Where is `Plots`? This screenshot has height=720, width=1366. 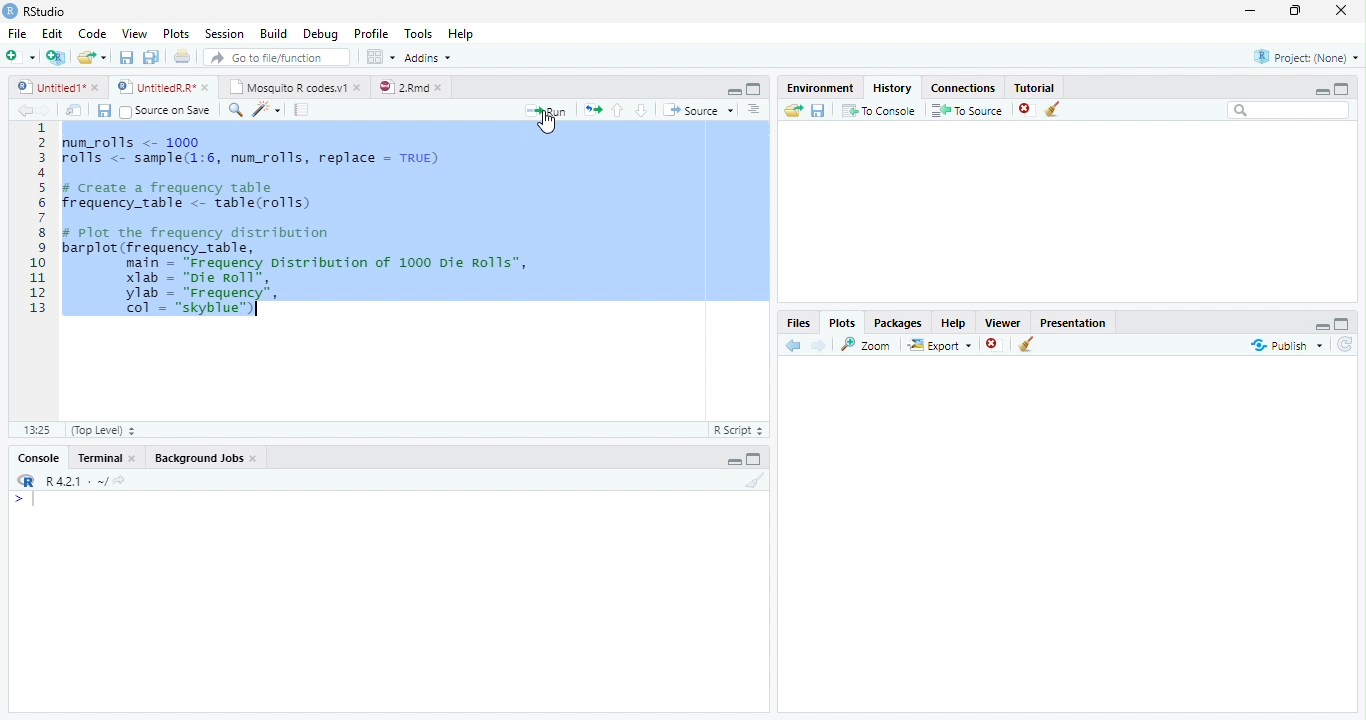
Plots is located at coordinates (177, 32).